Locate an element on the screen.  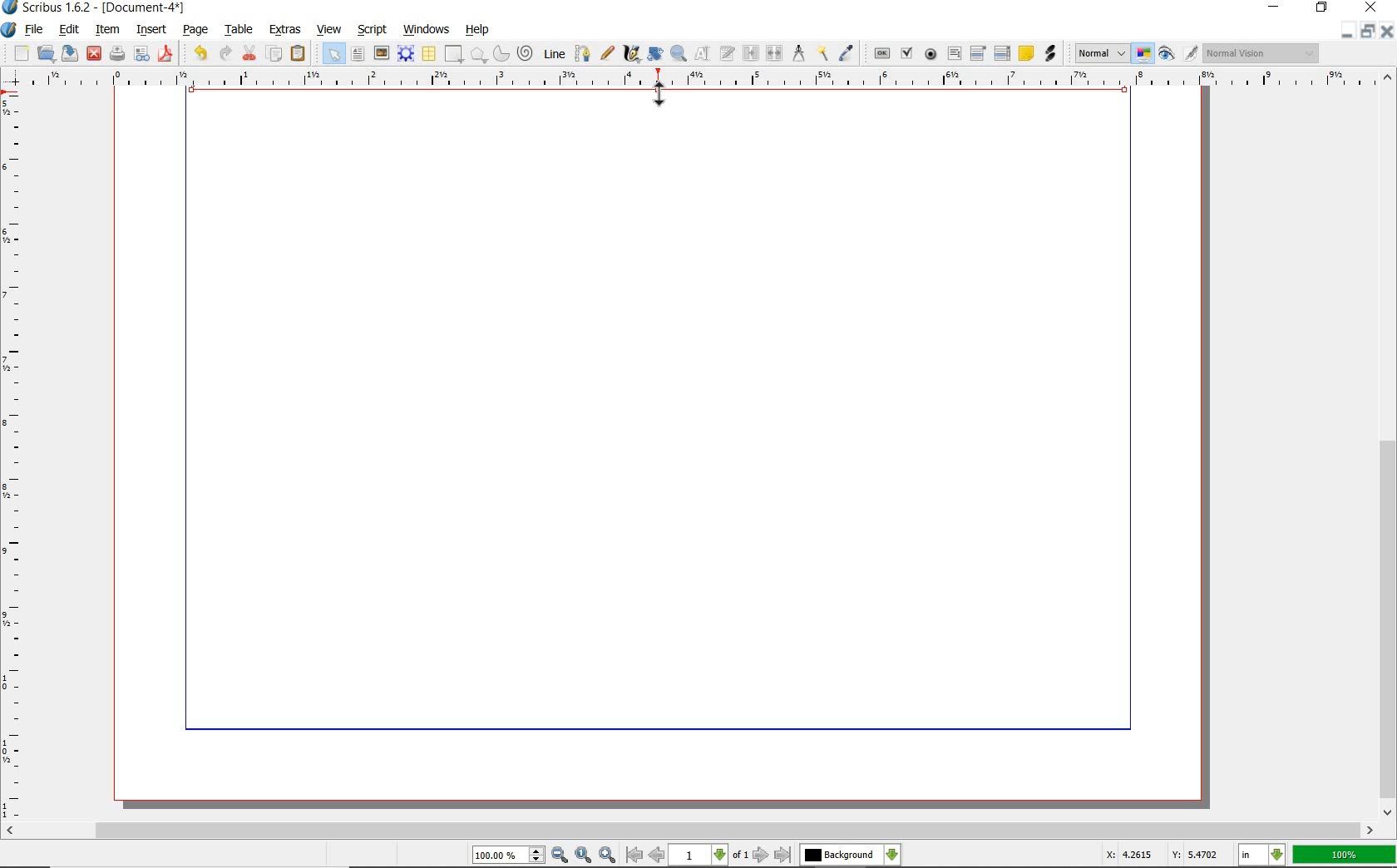
system icon is located at coordinates (9, 29).